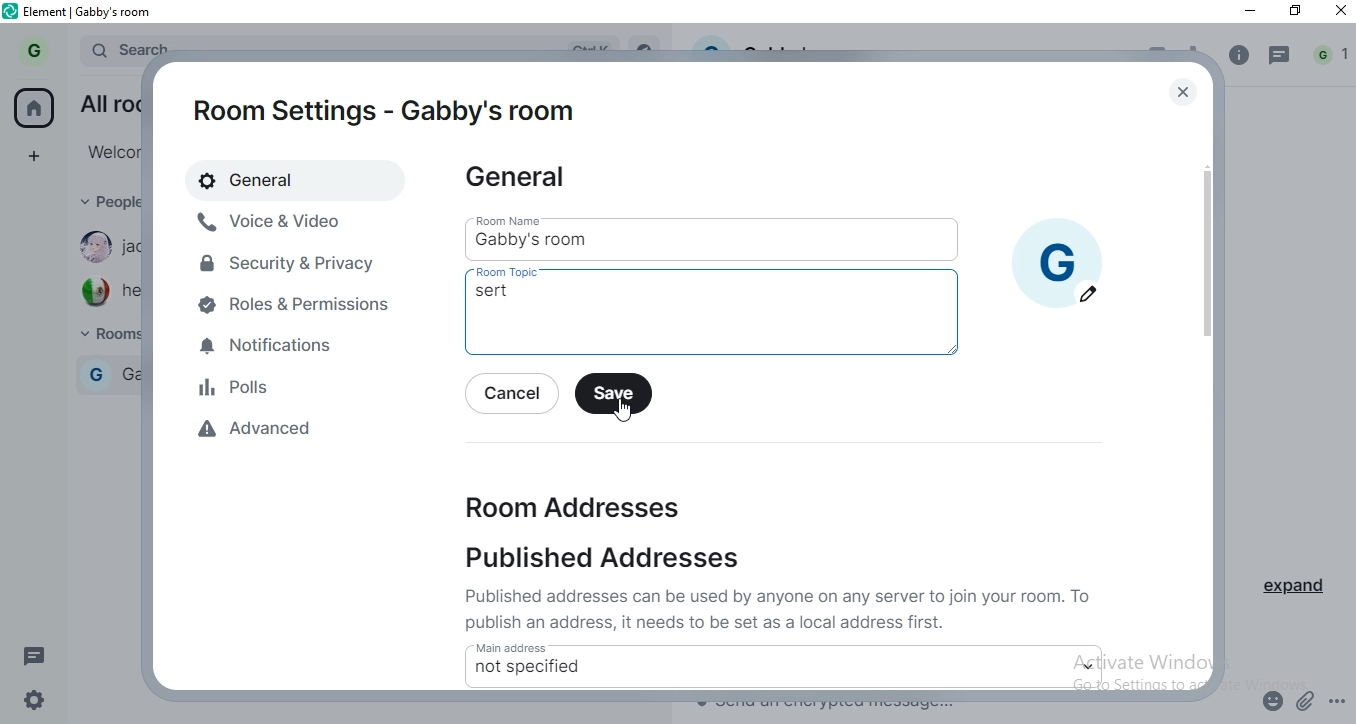 Image resolution: width=1356 pixels, height=724 pixels. What do you see at coordinates (495, 295) in the screenshot?
I see `sert` at bounding box center [495, 295].